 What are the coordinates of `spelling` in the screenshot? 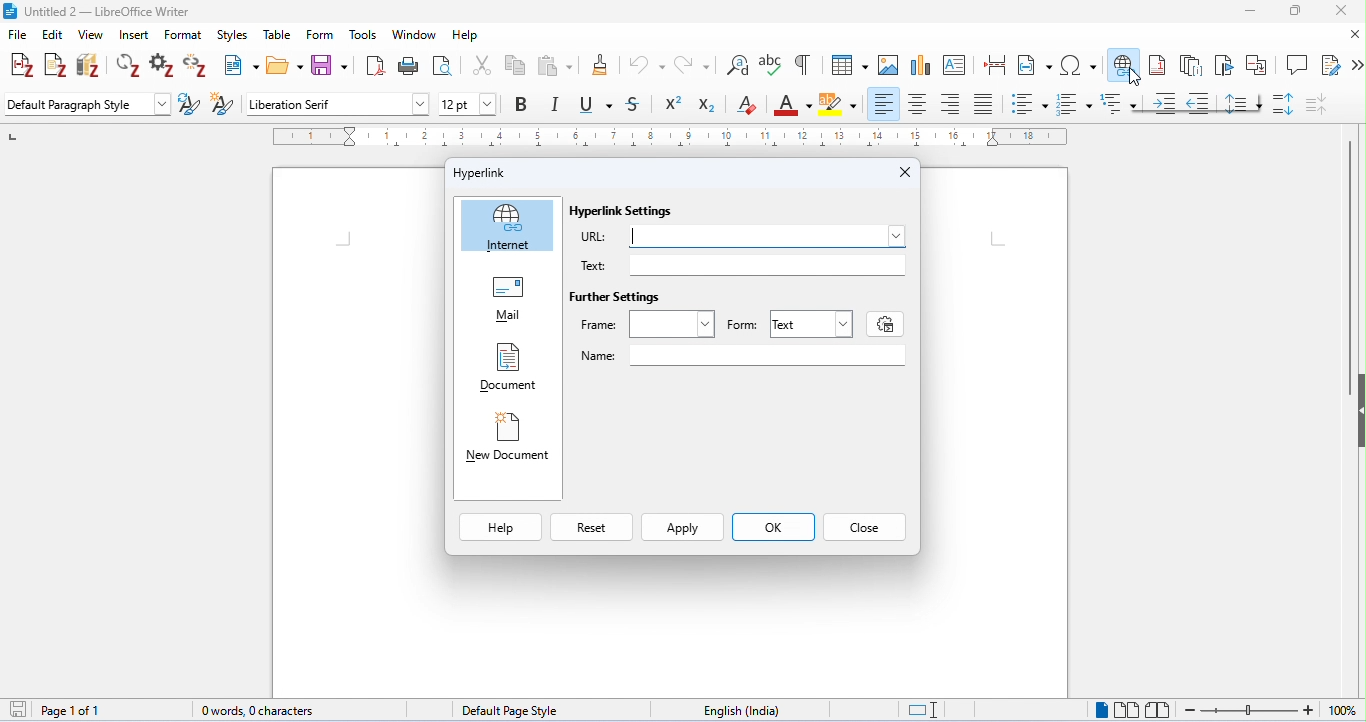 It's located at (772, 65).